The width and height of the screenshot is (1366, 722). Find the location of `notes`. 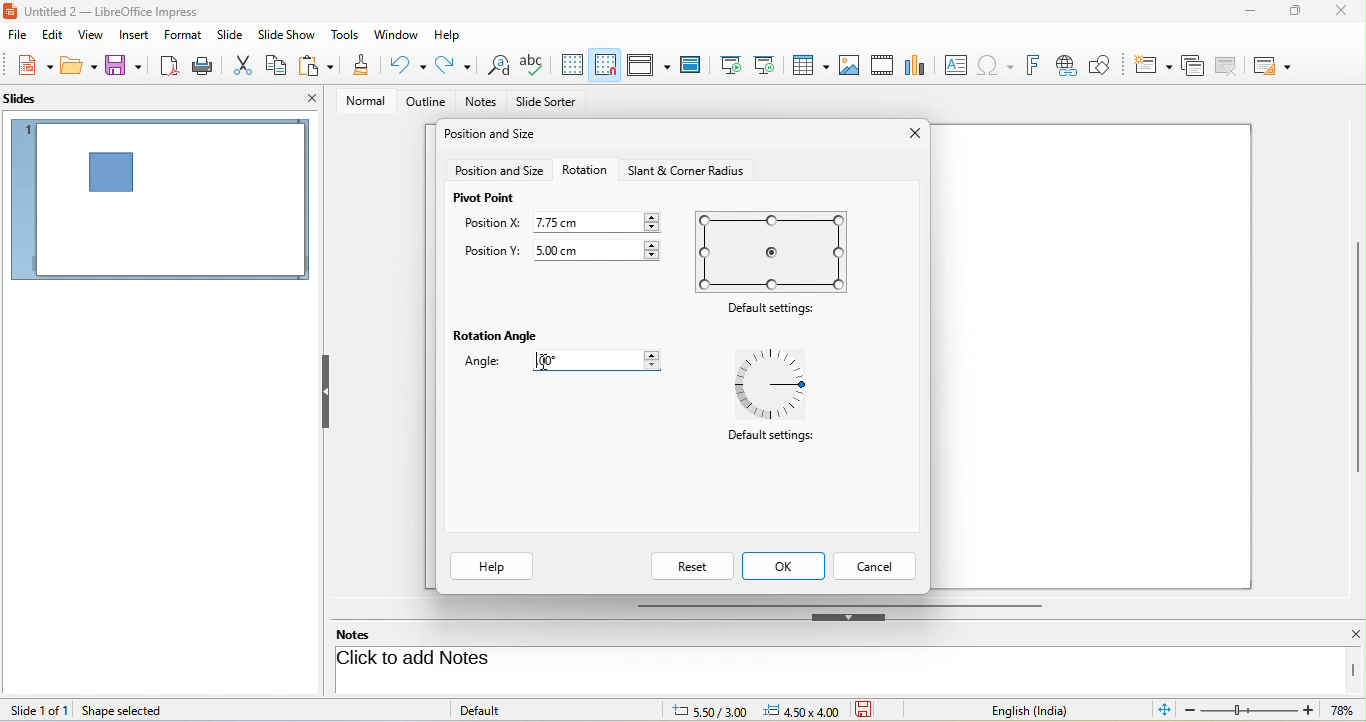

notes is located at coordinates (483, 103).